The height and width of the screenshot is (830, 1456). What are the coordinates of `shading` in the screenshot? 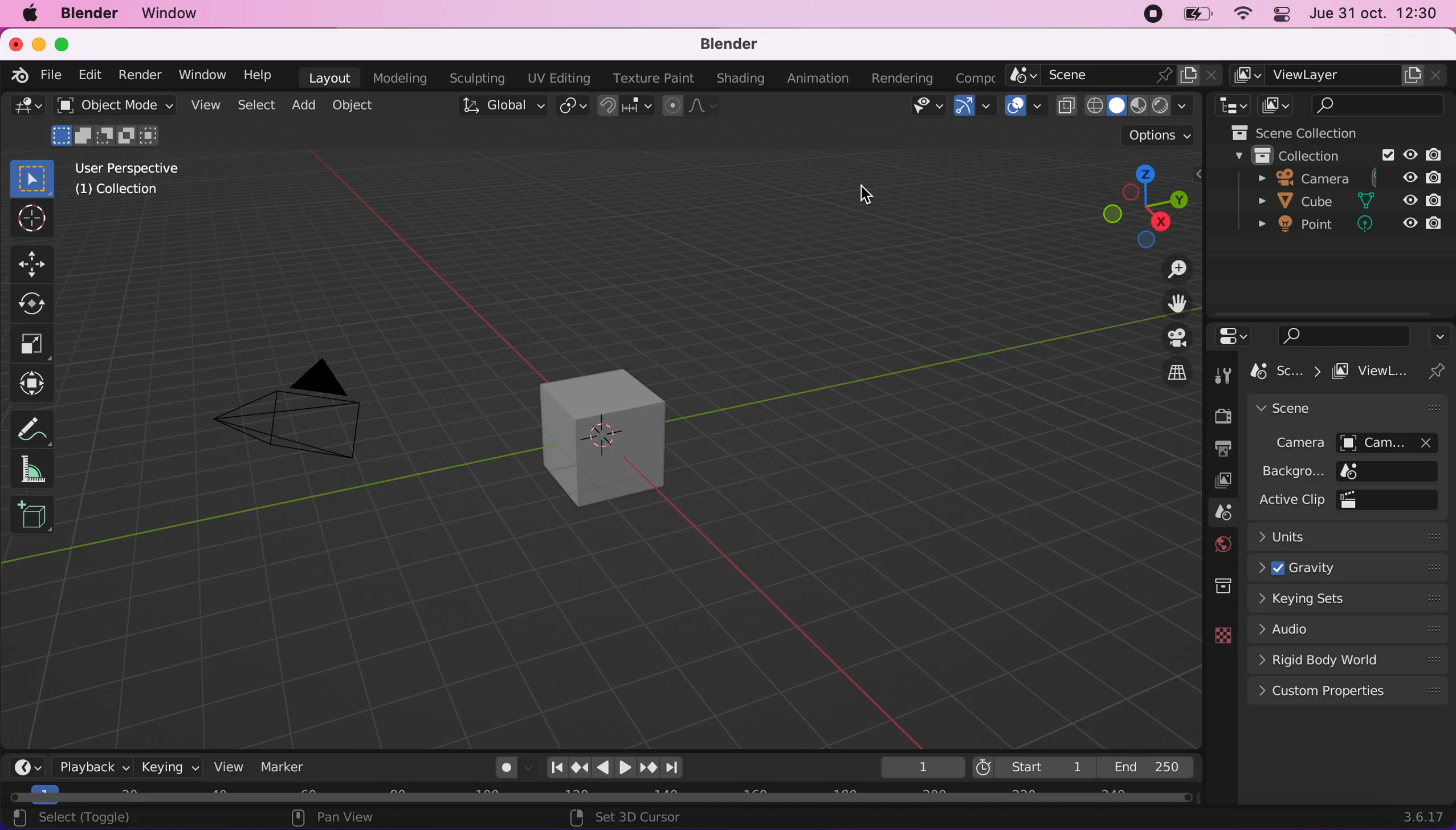 It's located at (1141, 105).